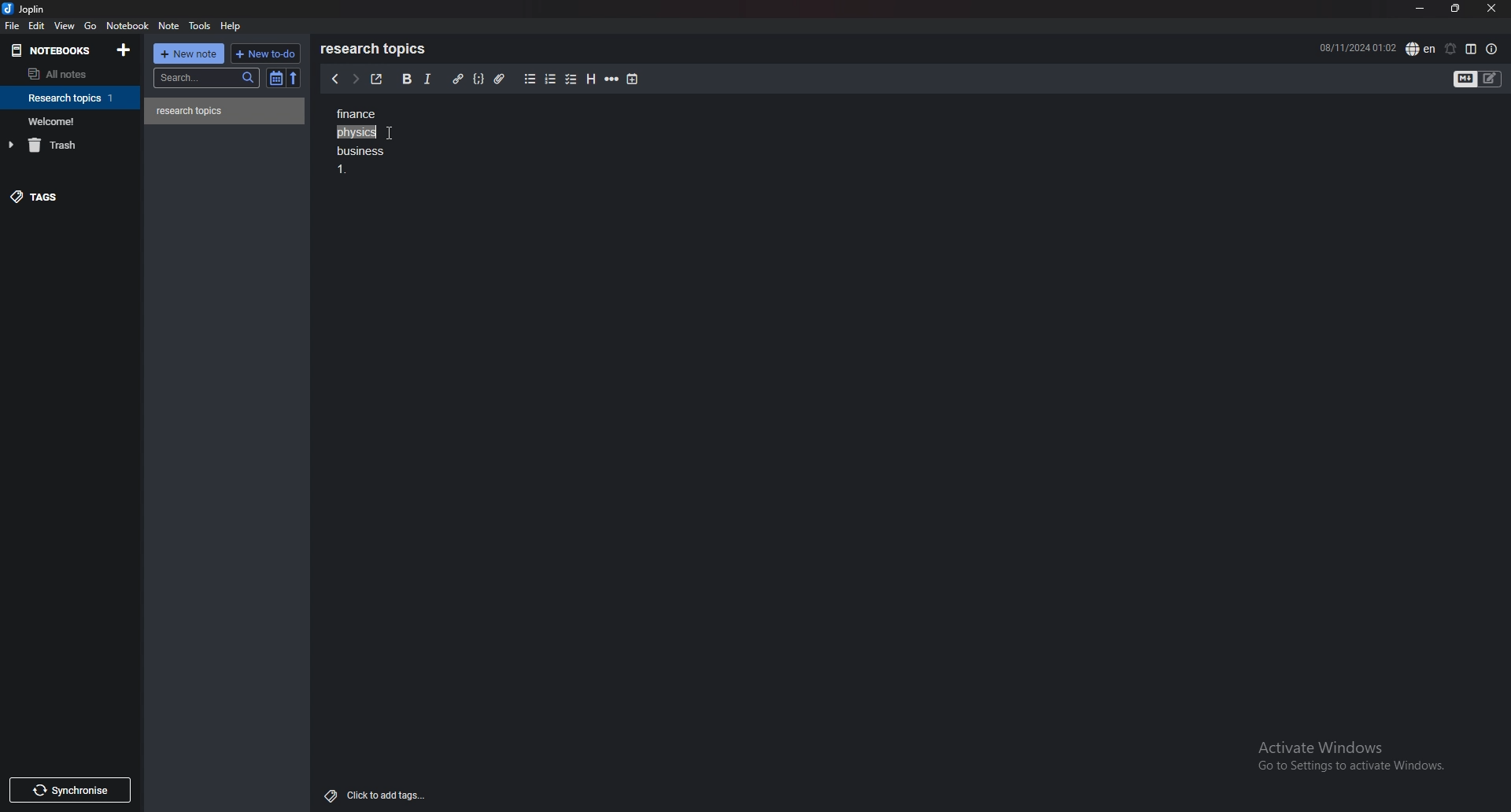 The image size is (1511, 812). Describe the element at coordinates (129, 26) in the screenshot. I see `notebook` at that location.